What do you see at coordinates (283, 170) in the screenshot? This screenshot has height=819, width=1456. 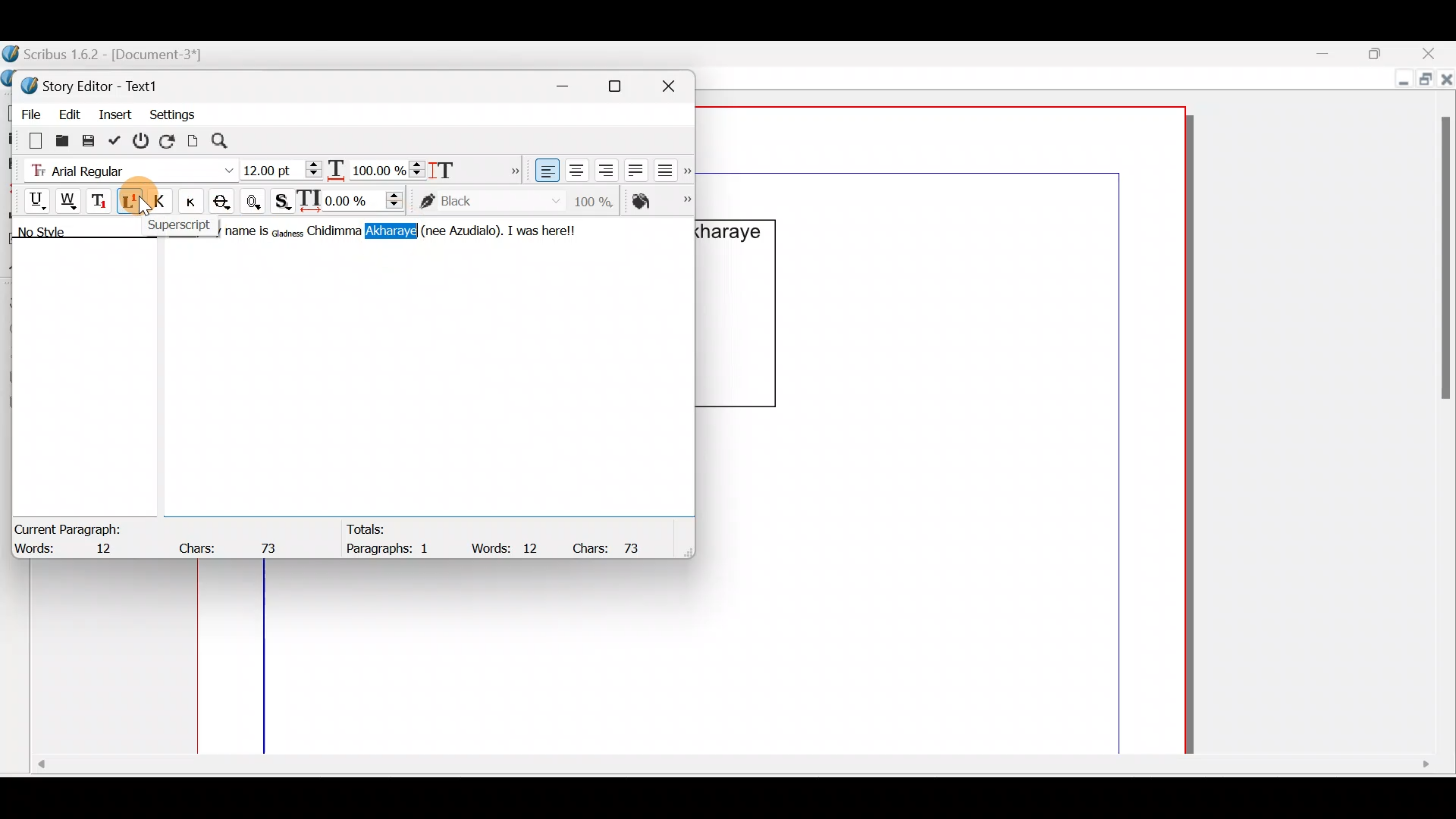 I see `Font size - 12:00pt` at bounding box center [283, 170].